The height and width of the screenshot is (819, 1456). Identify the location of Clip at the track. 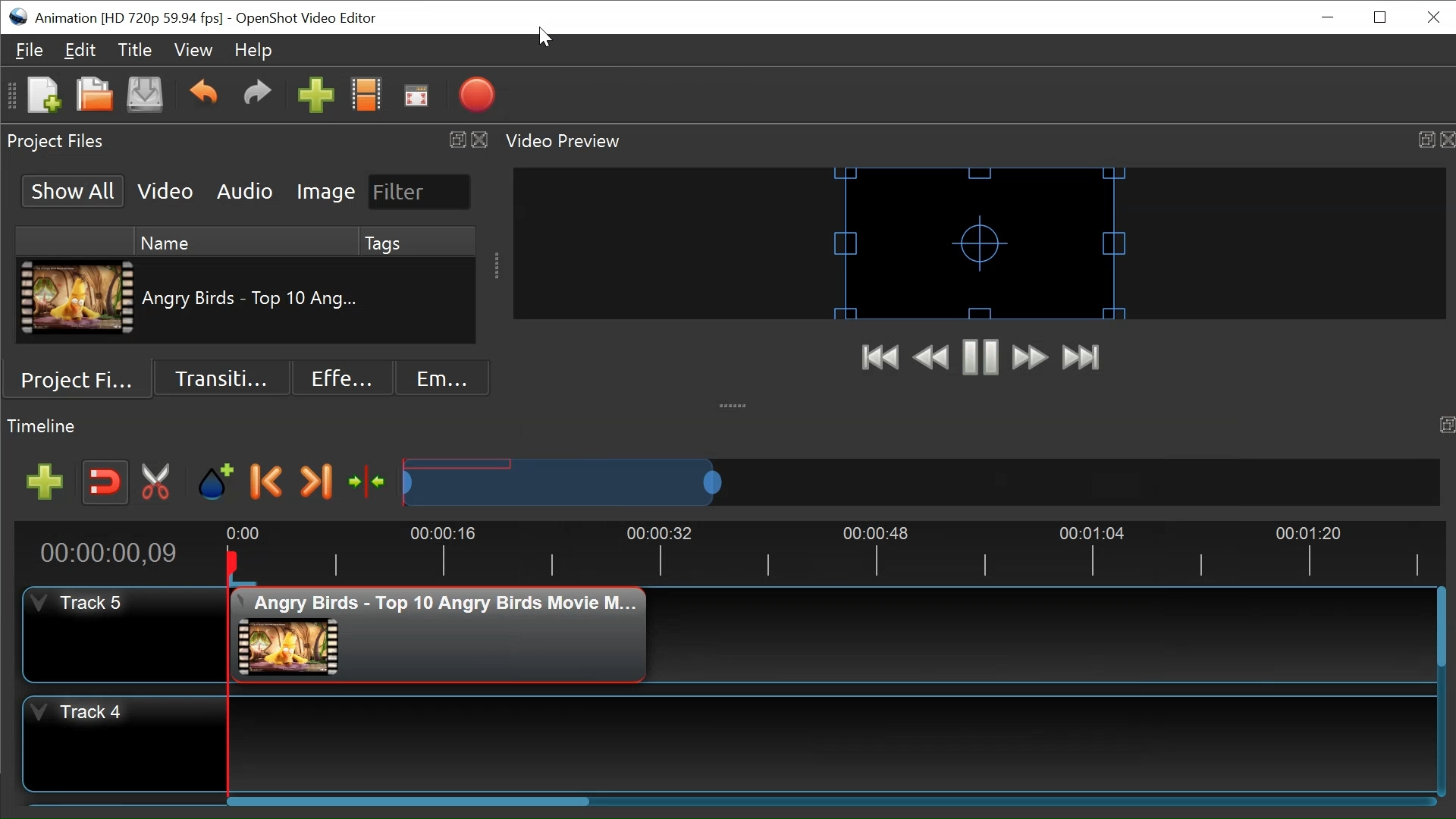
(439, 635).